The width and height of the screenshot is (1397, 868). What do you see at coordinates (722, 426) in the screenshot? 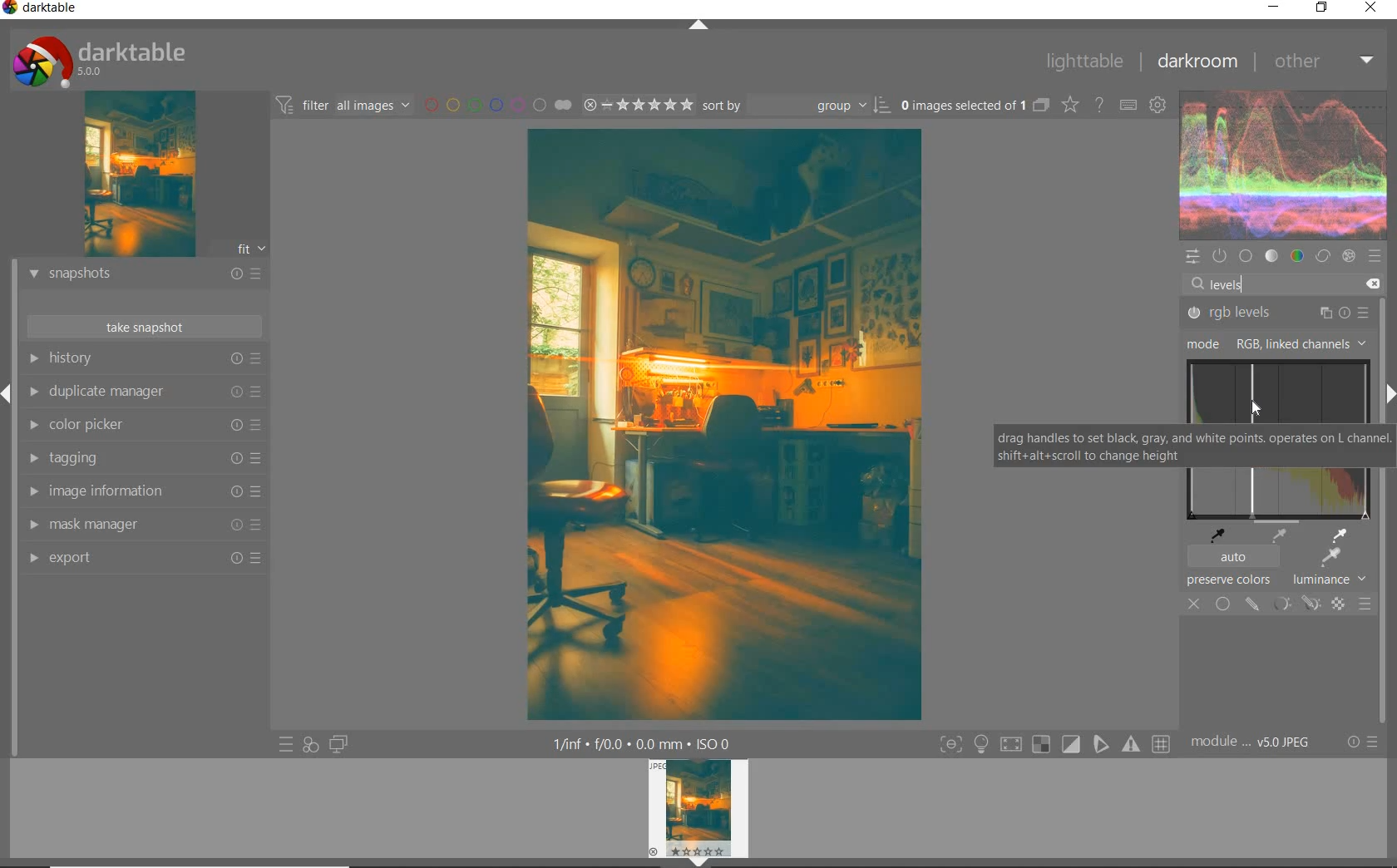
I see `selected image` at bounding box center [722, 426].